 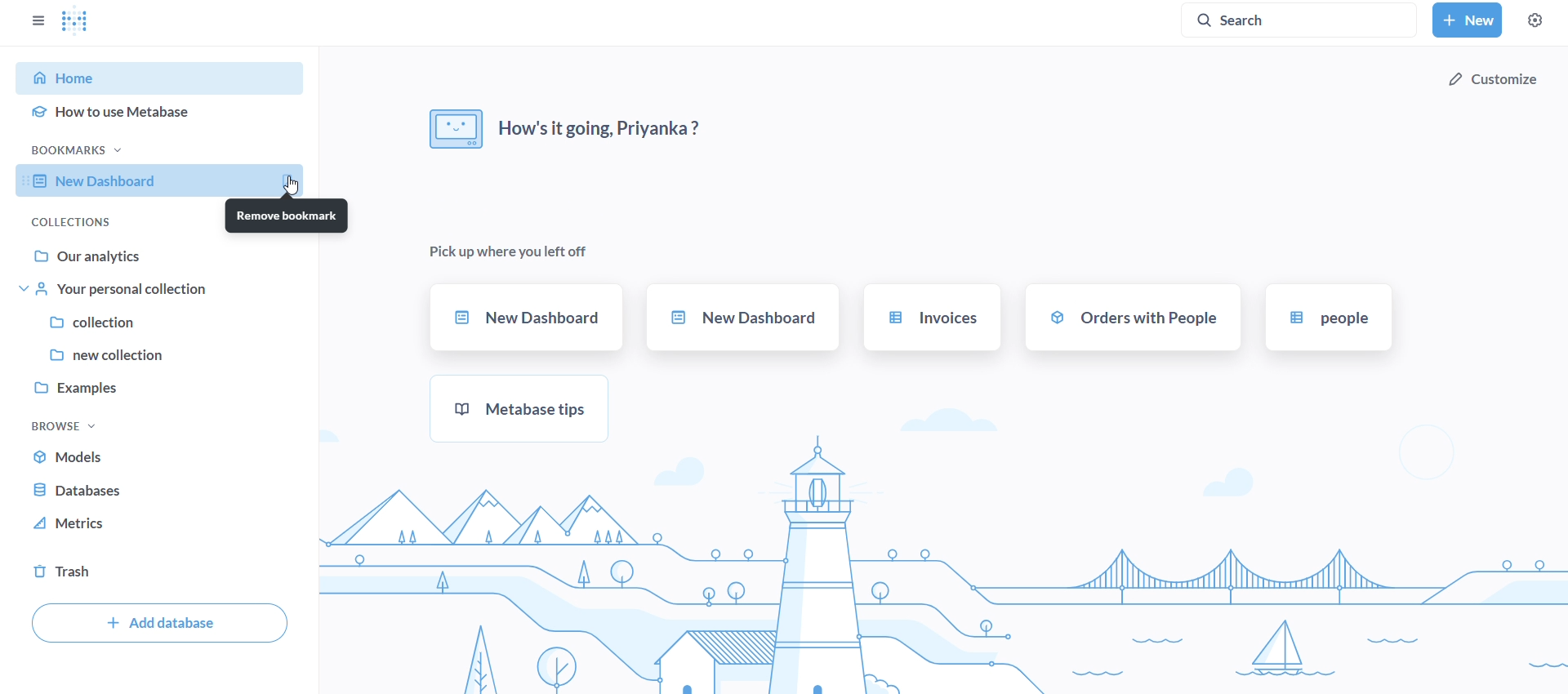 What do you see at coordinates (167, 256) in the screenshot?
I see `our analytics` at bounding box center [167, 256].